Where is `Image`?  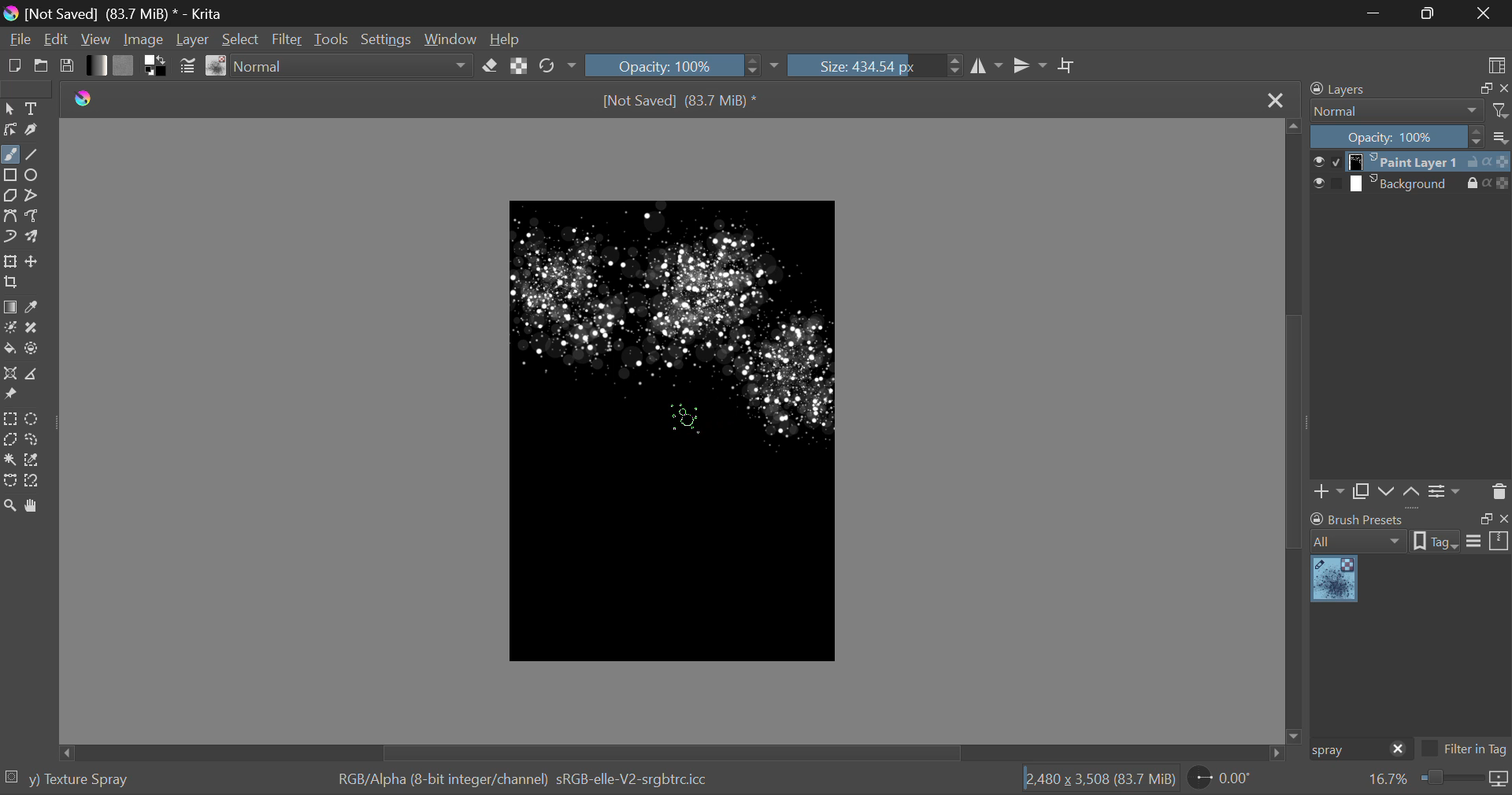
Image is located at coordinates (148, 38).